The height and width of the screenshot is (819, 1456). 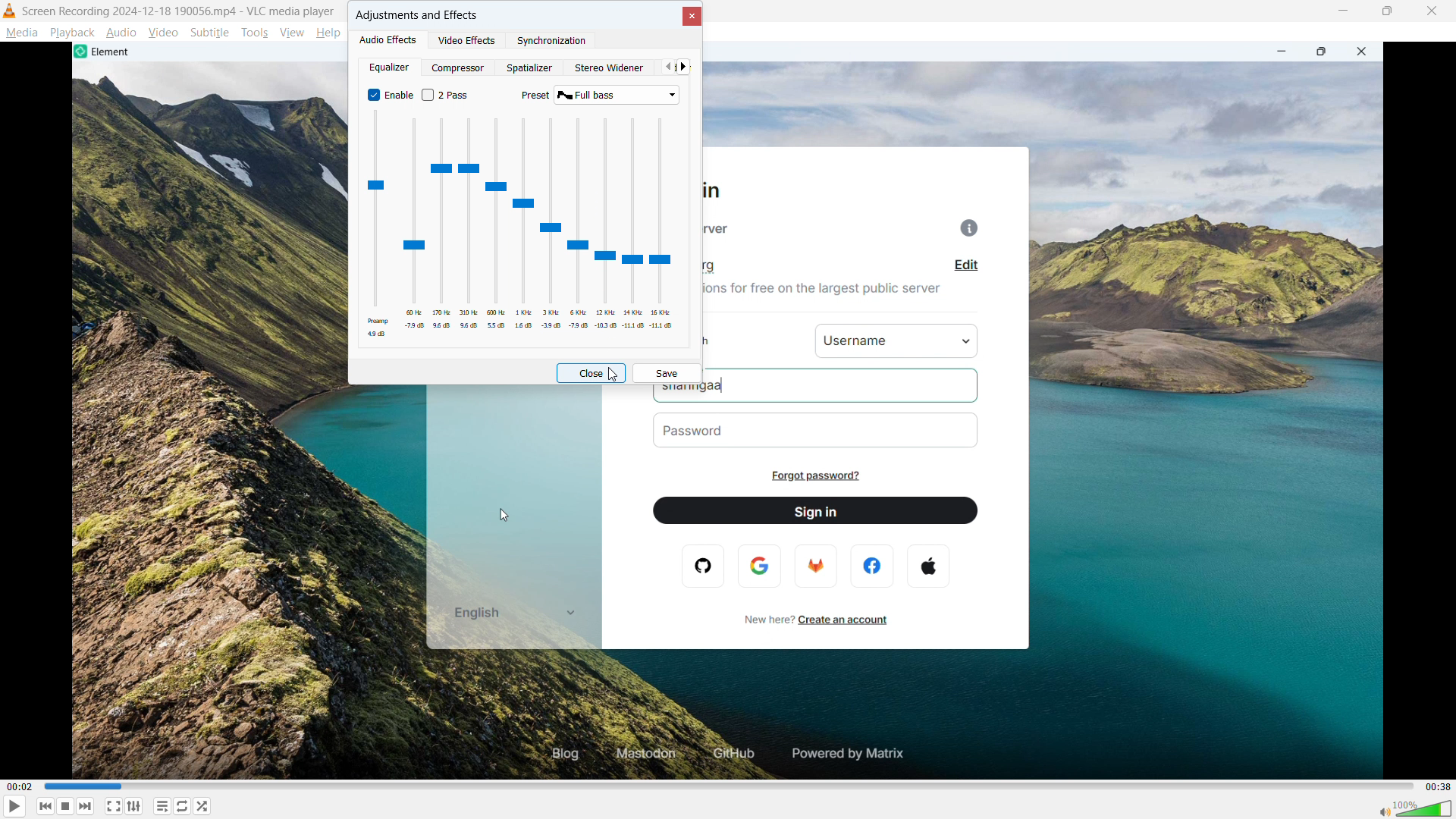 What do you see at coordinates (20, 787) in the screenshot?
I see `00:32` at bounding box center [20, 787].